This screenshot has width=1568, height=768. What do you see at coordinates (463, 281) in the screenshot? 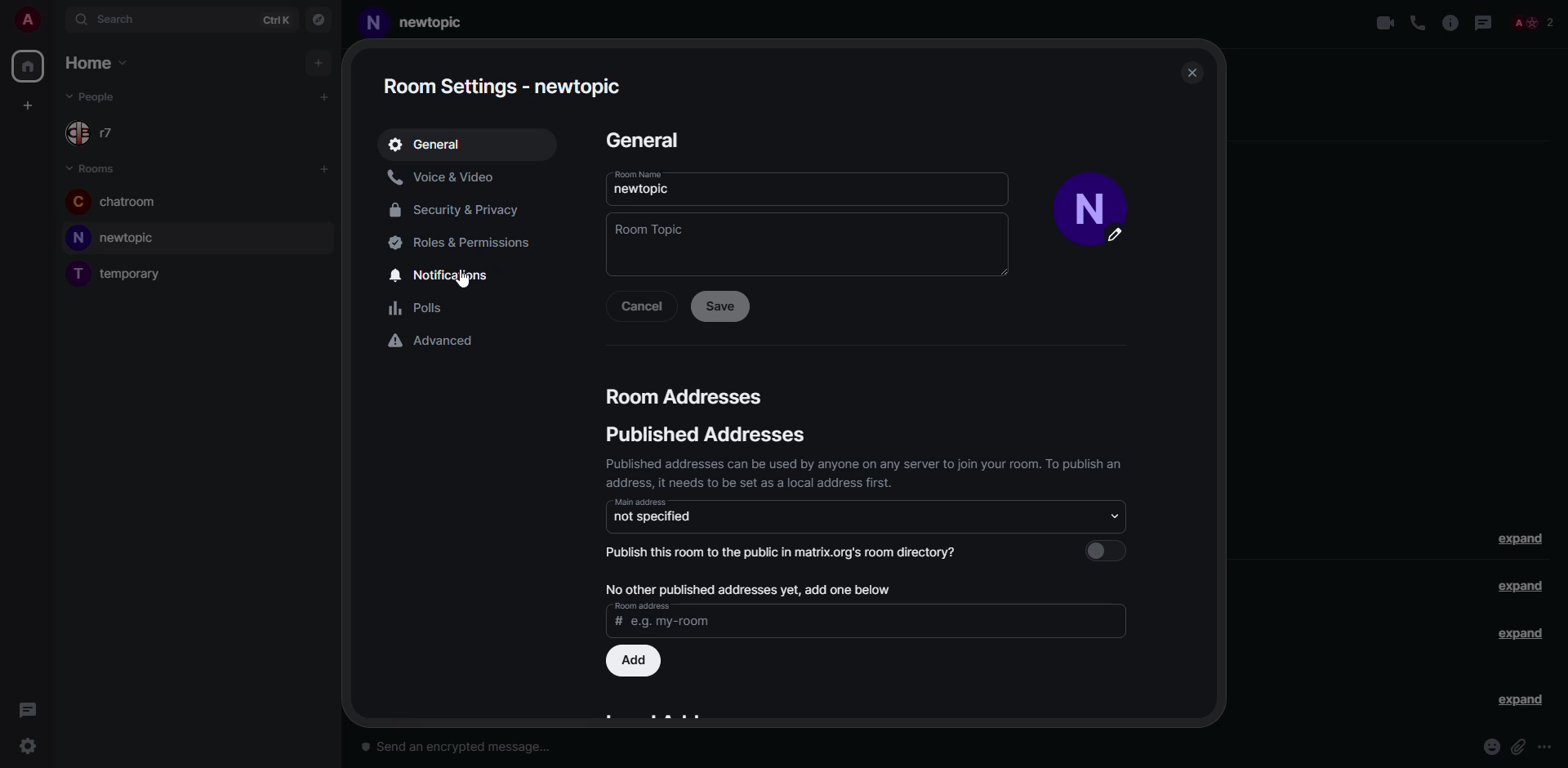
I see `cursor` at bounding box center [463, 281].